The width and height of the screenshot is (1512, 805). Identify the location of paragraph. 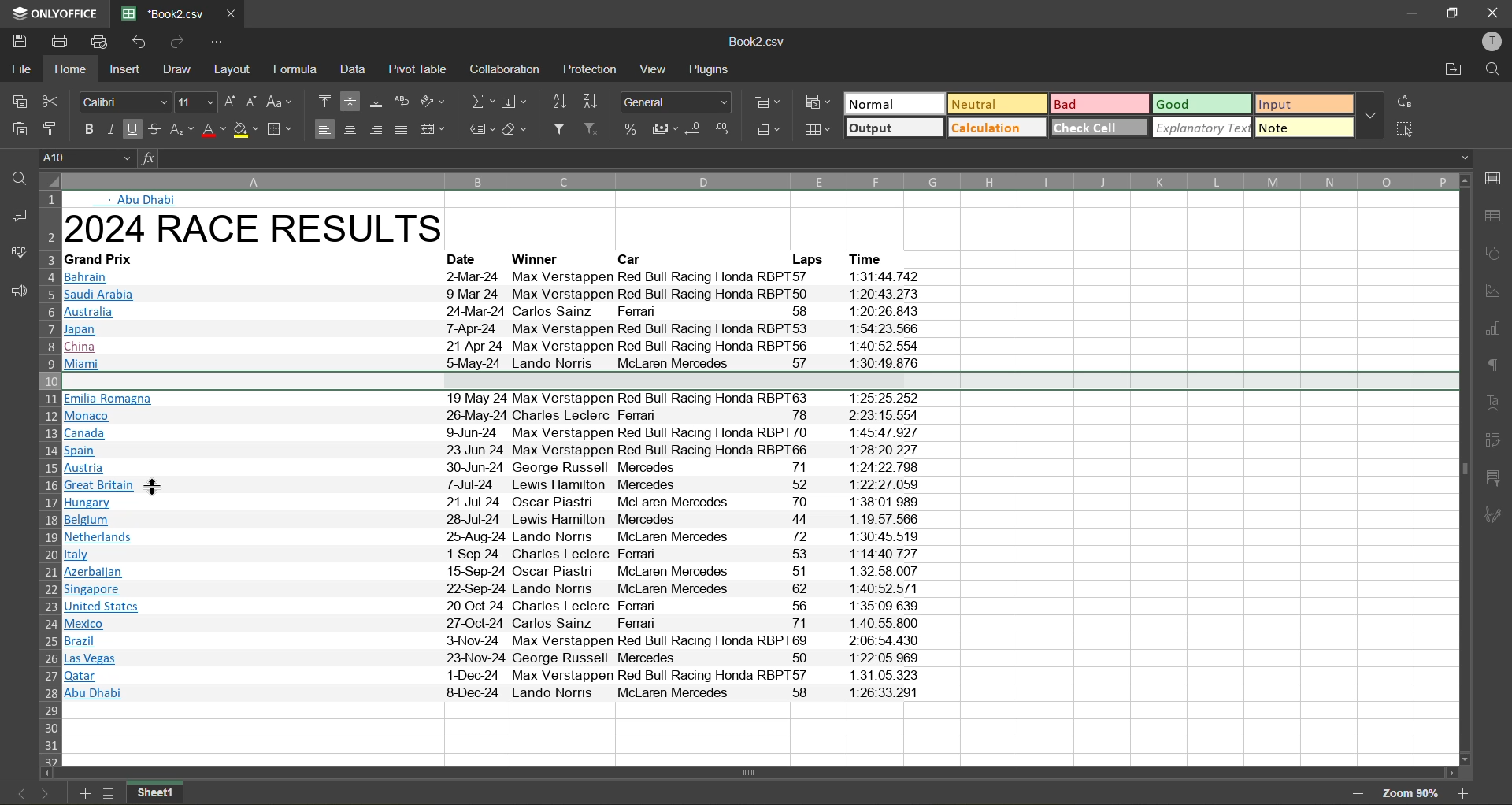
(1497, 368).